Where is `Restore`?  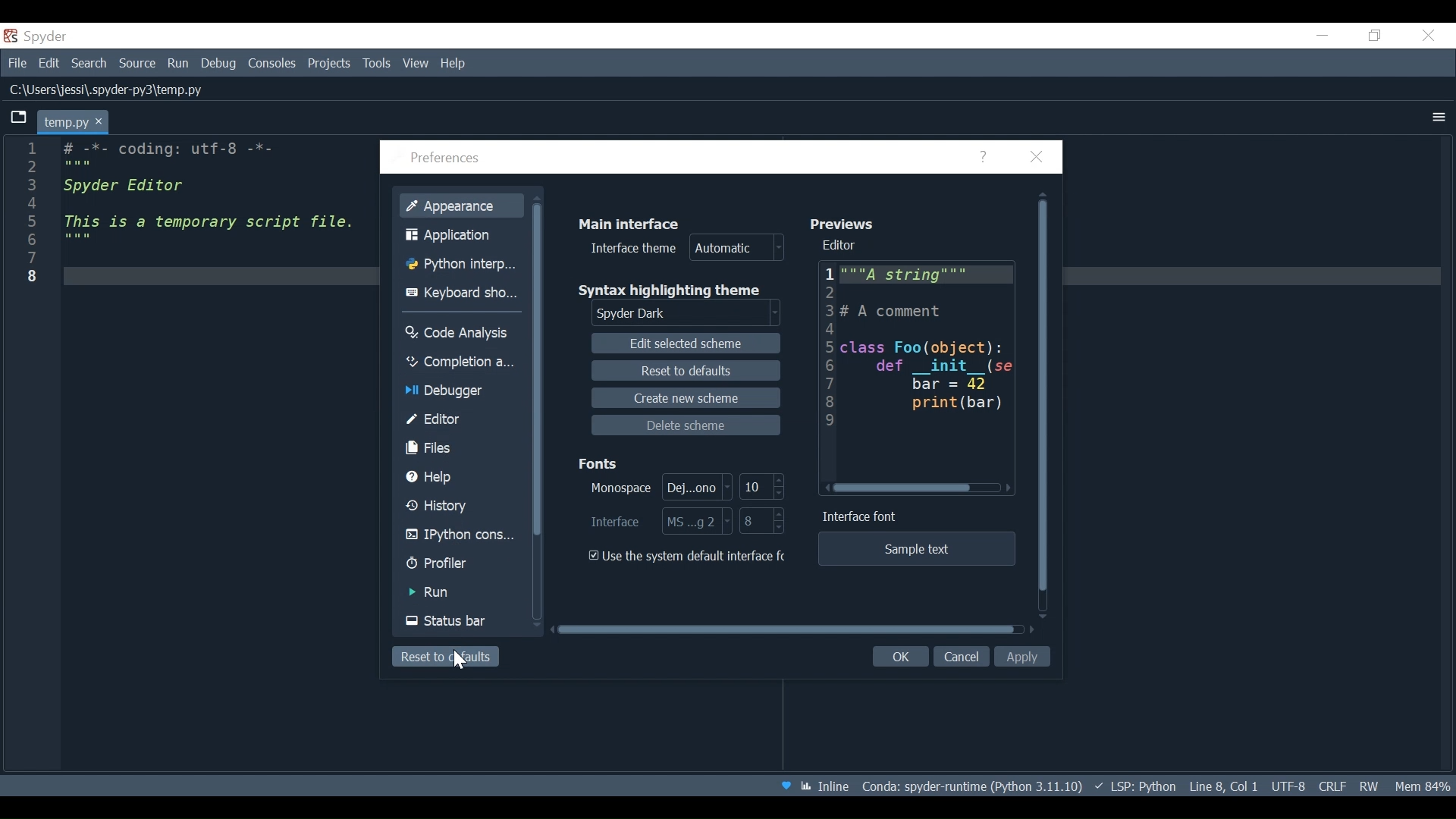
Restore is located at coordinates (1376, 36).